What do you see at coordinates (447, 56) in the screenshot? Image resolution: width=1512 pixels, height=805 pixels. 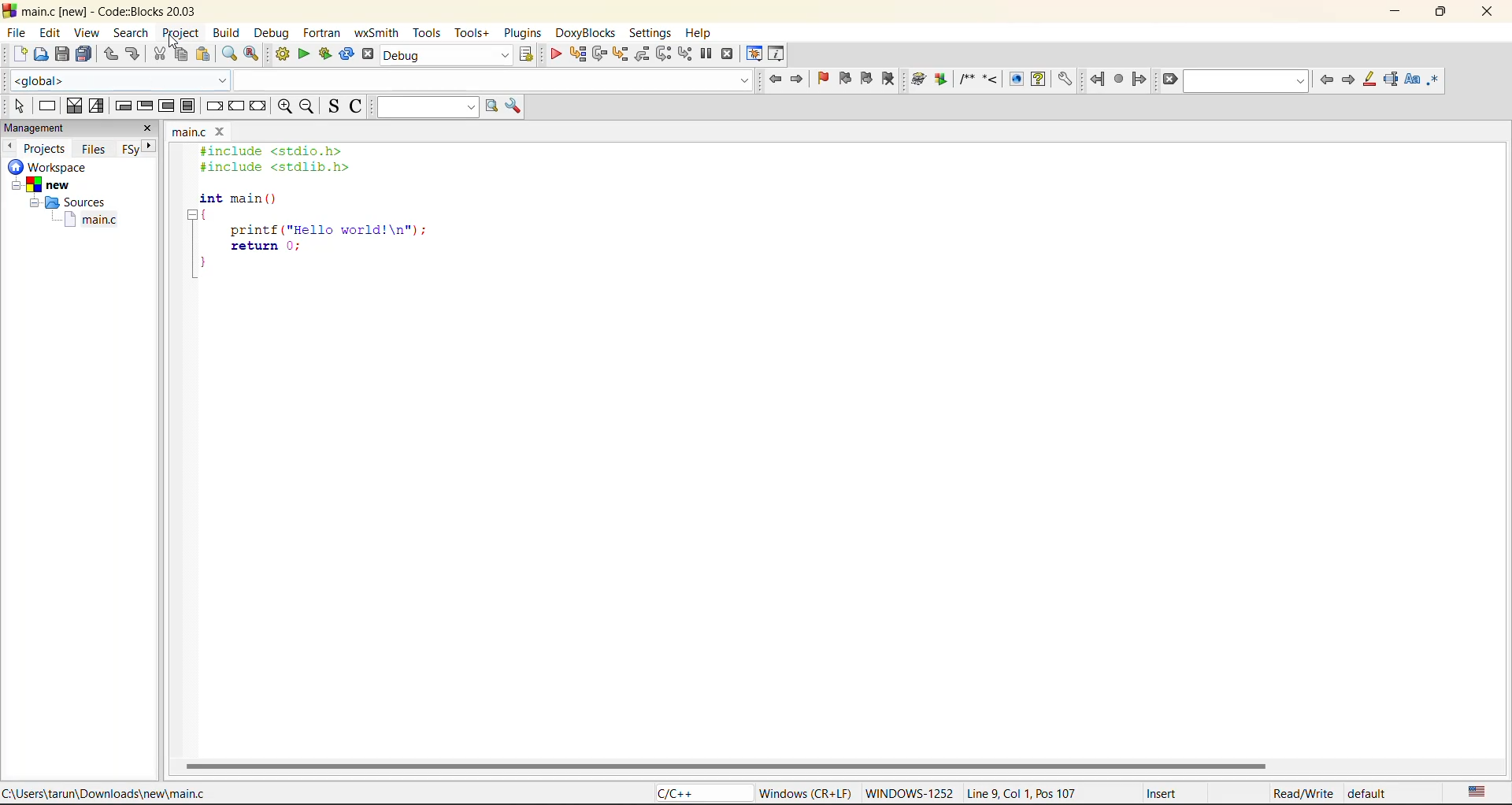 I see `build target` at bounding box center [447, 56].